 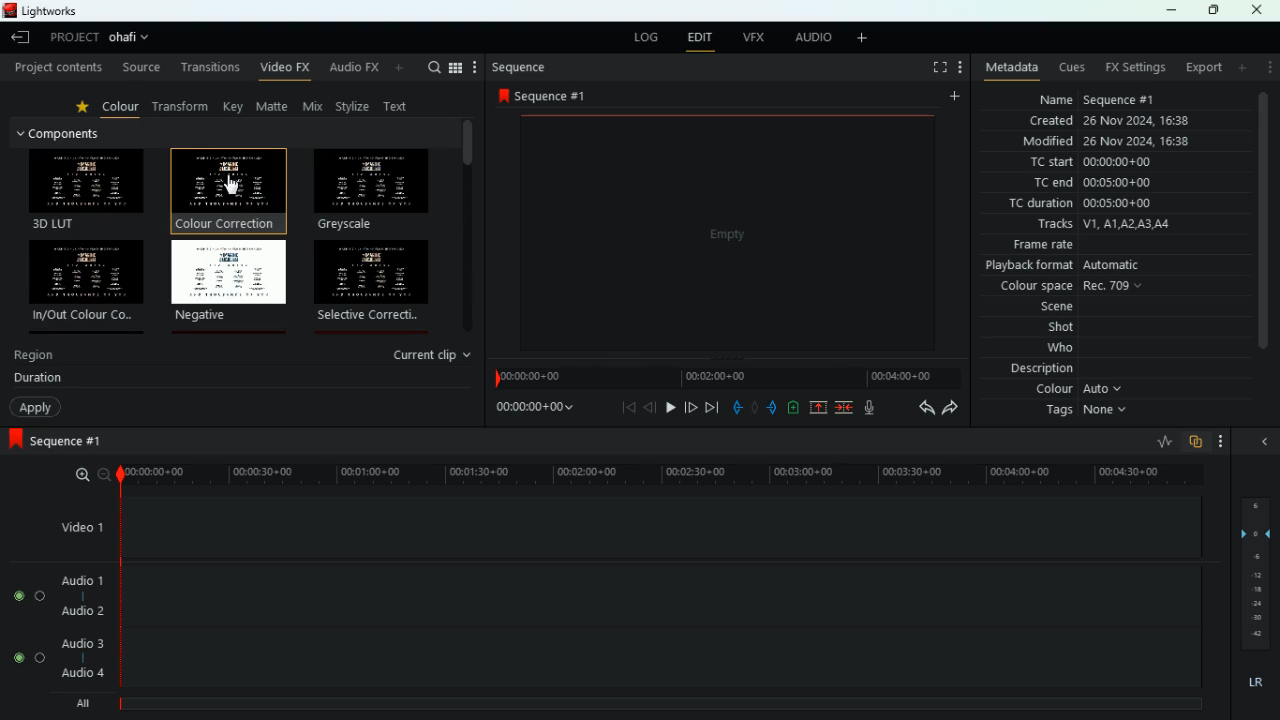 I want to click on layers, so click(x=1254, y=575).